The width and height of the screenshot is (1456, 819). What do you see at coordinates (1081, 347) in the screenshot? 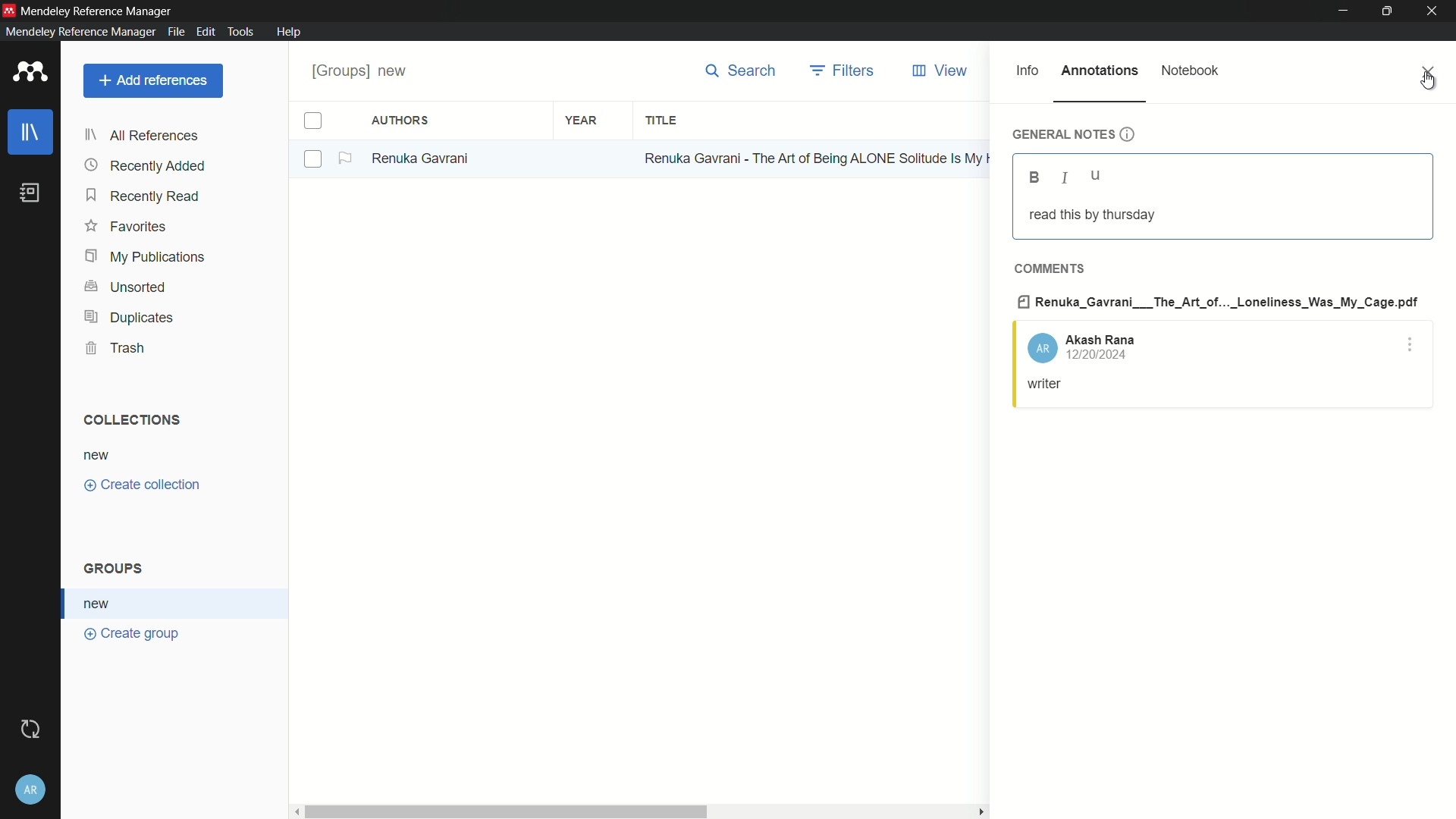
I see `account` at bounding box center [1081, 347].